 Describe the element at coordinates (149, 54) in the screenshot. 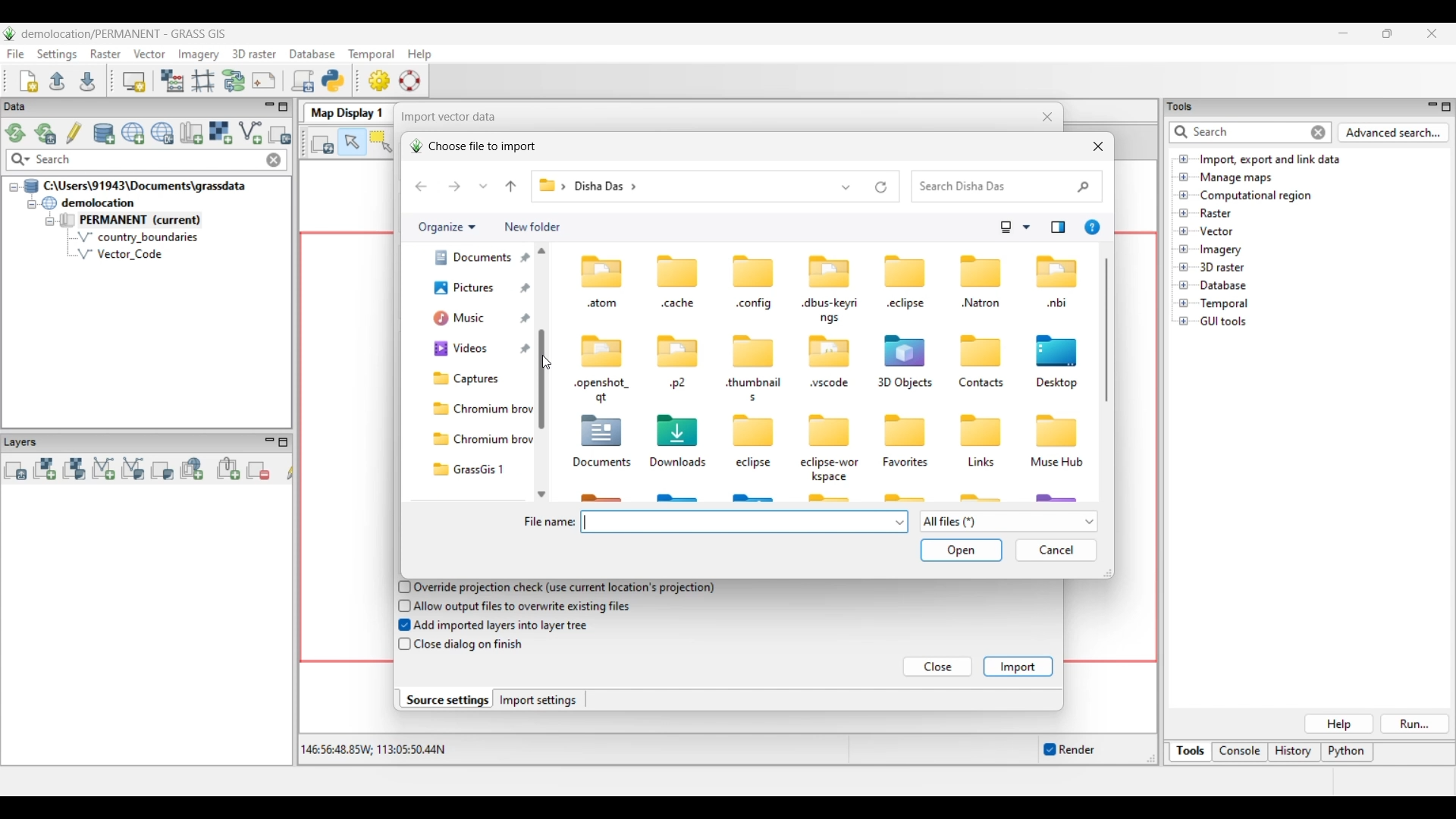

I see `Vector menu` at that location.